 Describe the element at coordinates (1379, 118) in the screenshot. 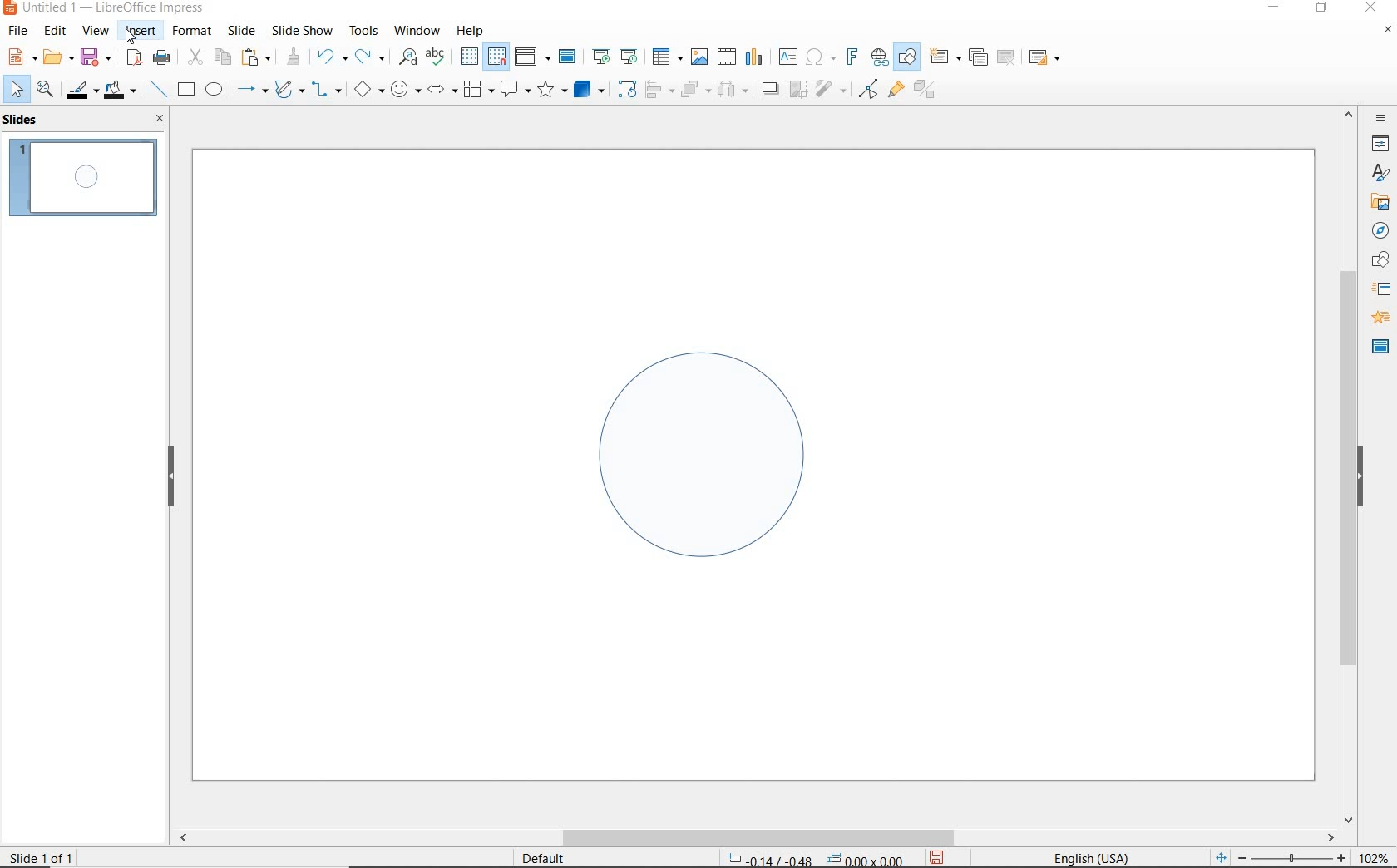

I see `sidebar settings` at that location.